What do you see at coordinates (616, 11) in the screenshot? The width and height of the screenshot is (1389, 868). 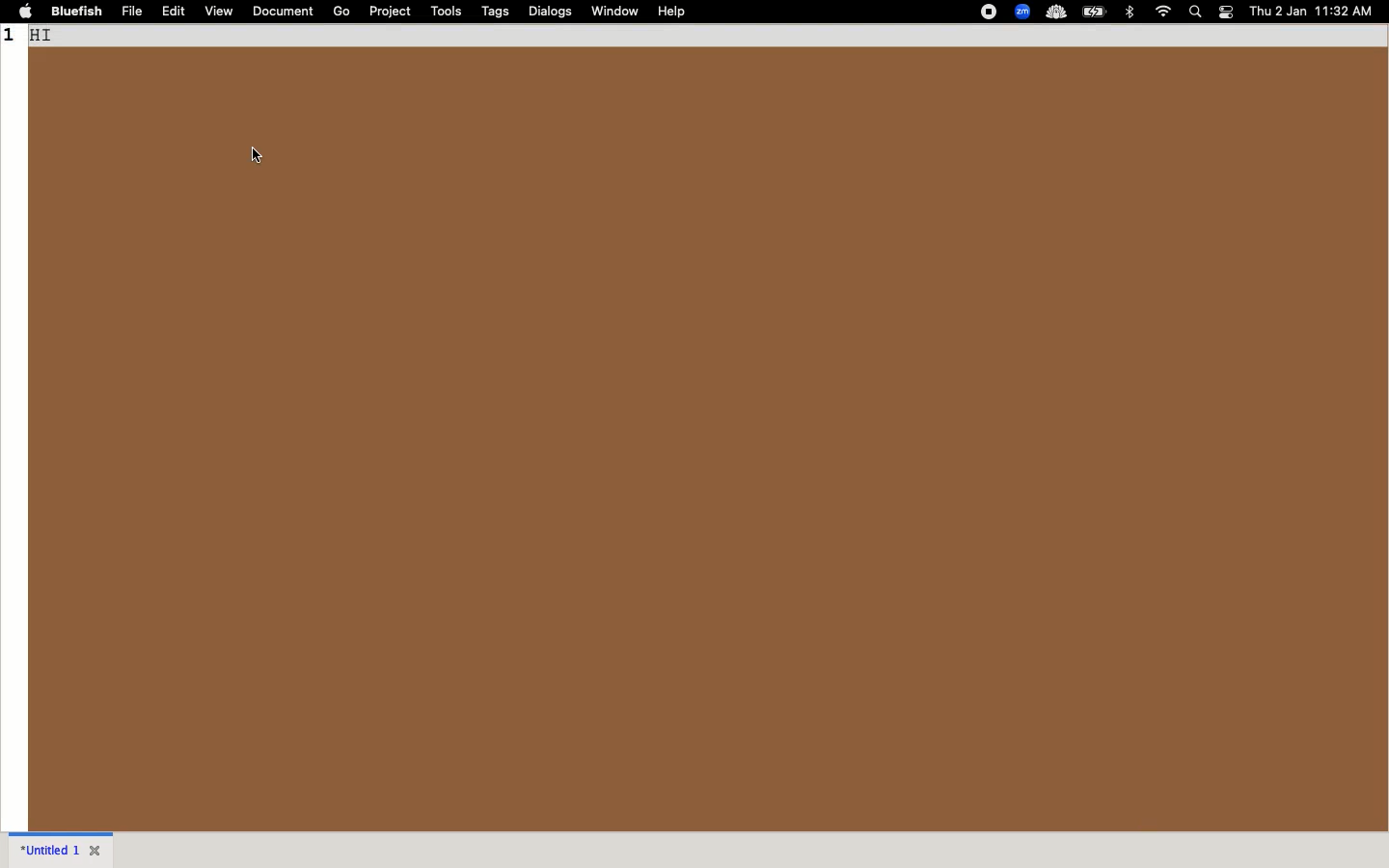 I see `window` at bounding box center [616, 11].